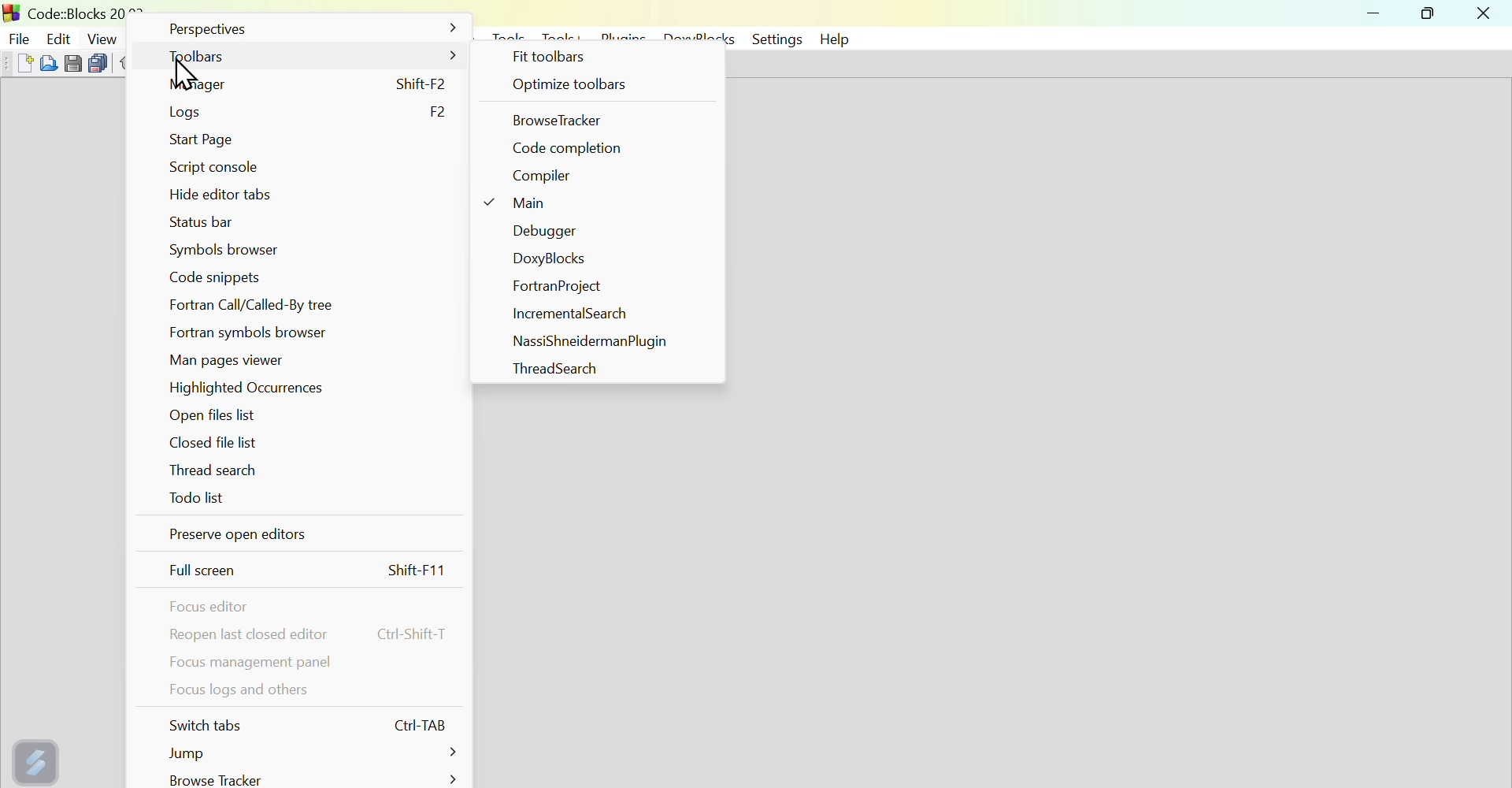  Describe the element at coordinates (1432, 16) in the screenshot. I see `maximise` at that location.